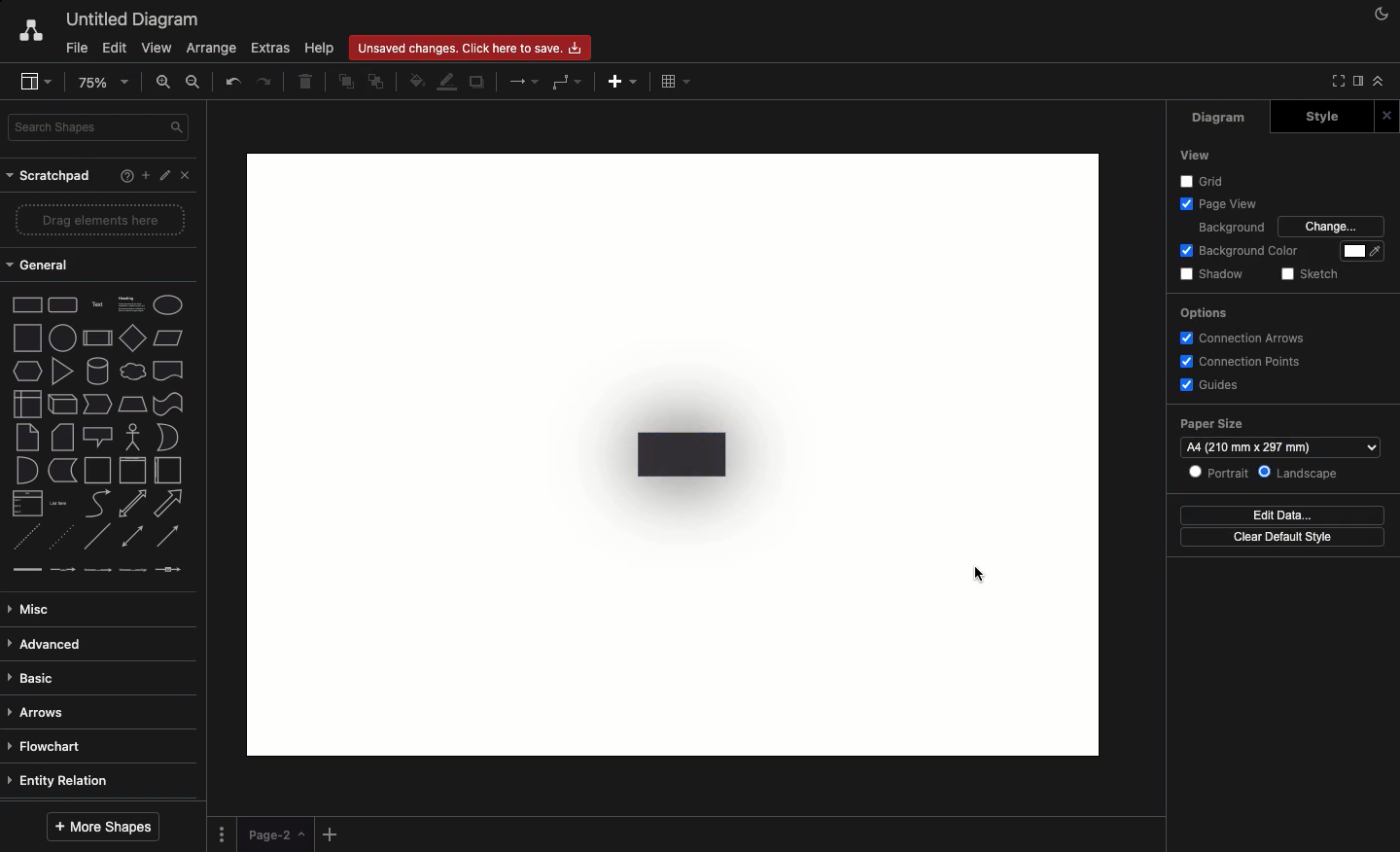 The width and height of the screenshot is (1400, 852). Describe the element at coordinates (60, 436) in the screenshot. I see `card` at that location.